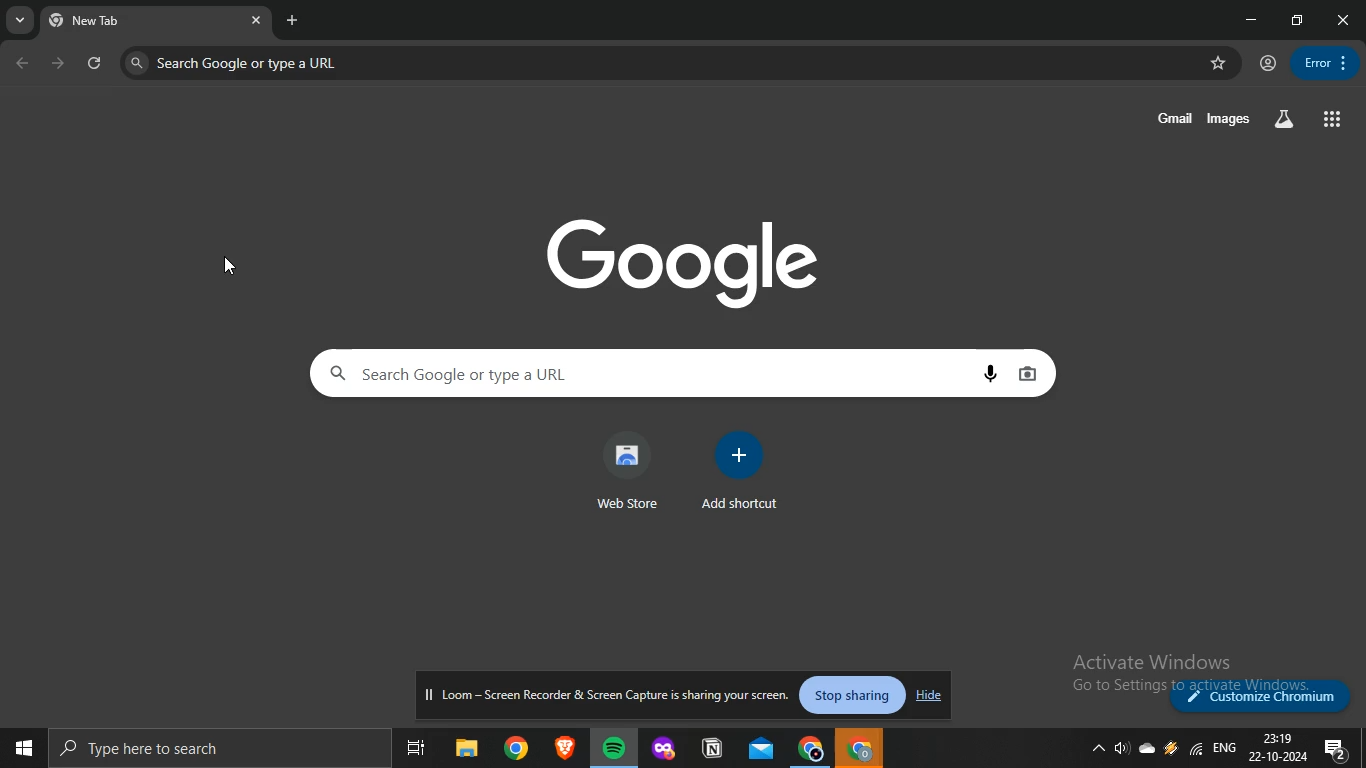 This screenshot has height=768, width=1366. I want to click on newtab, so click(293, 19).